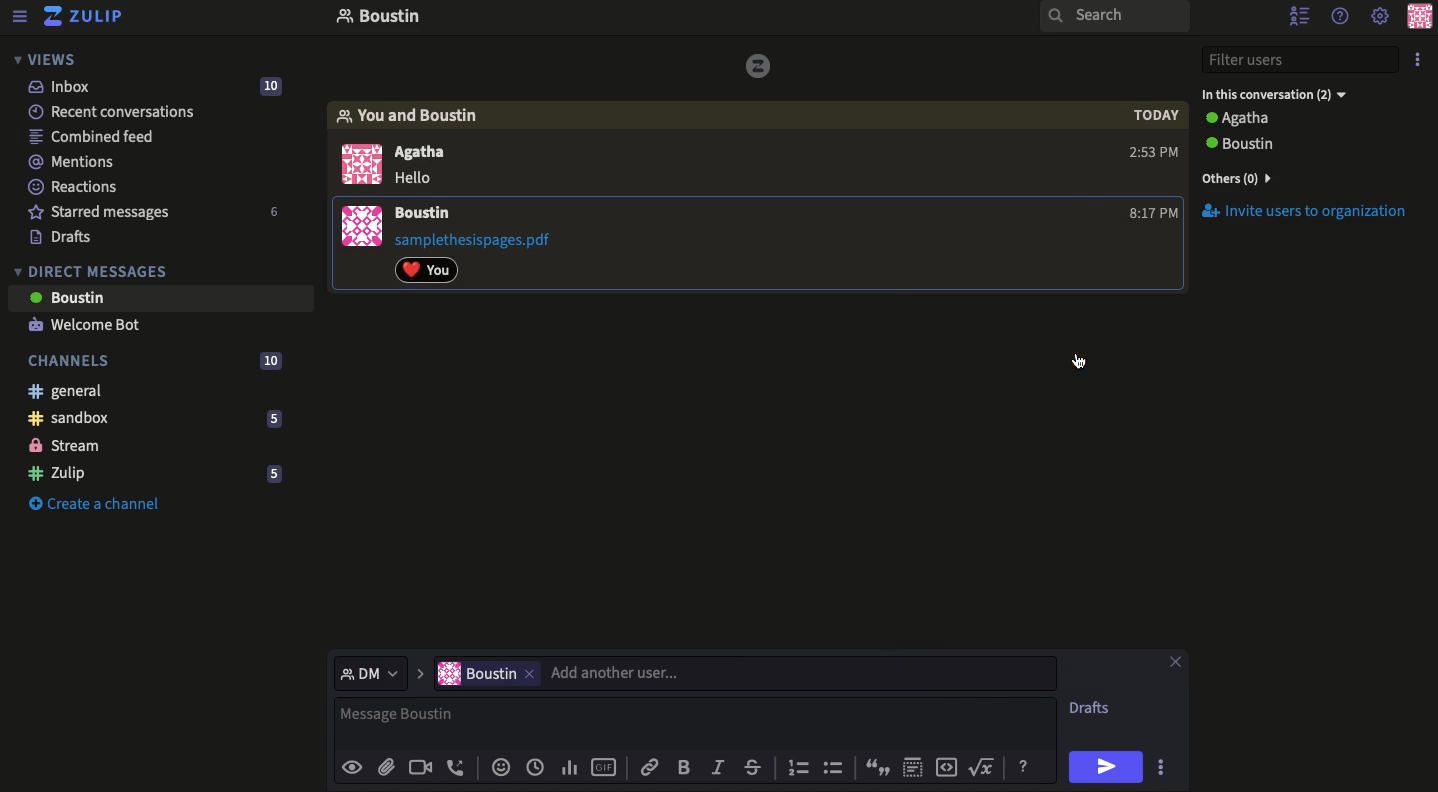 The width and height of the screenshot is (1438, 792). Describe the element at coordinates (1082, 359) in the screenshot. I see `cursor` at that location.